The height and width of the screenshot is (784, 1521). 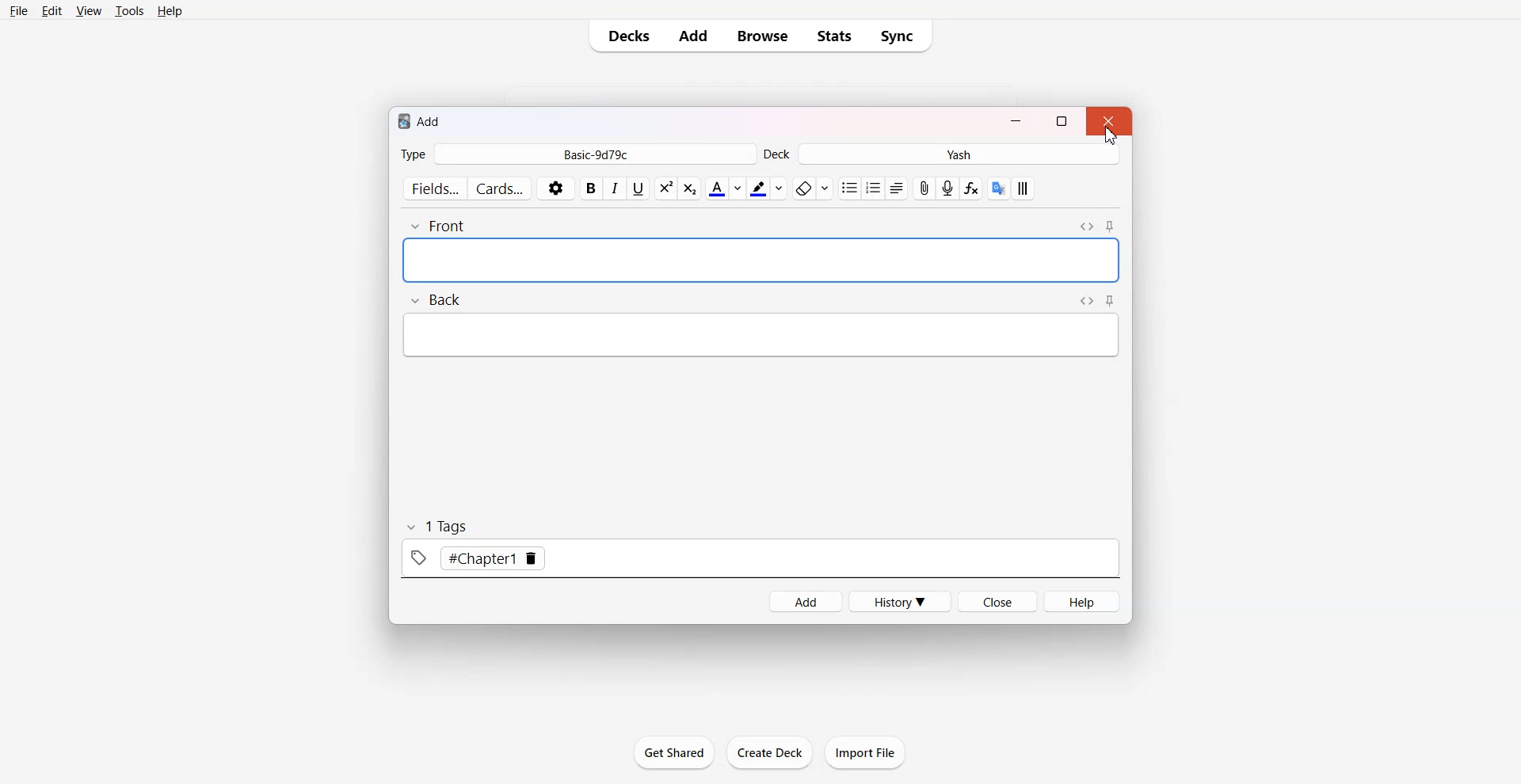 What do you see at coordinates (850, 188) in the screenshot?
I see `Unorder list` at bounding box center [850, 188].